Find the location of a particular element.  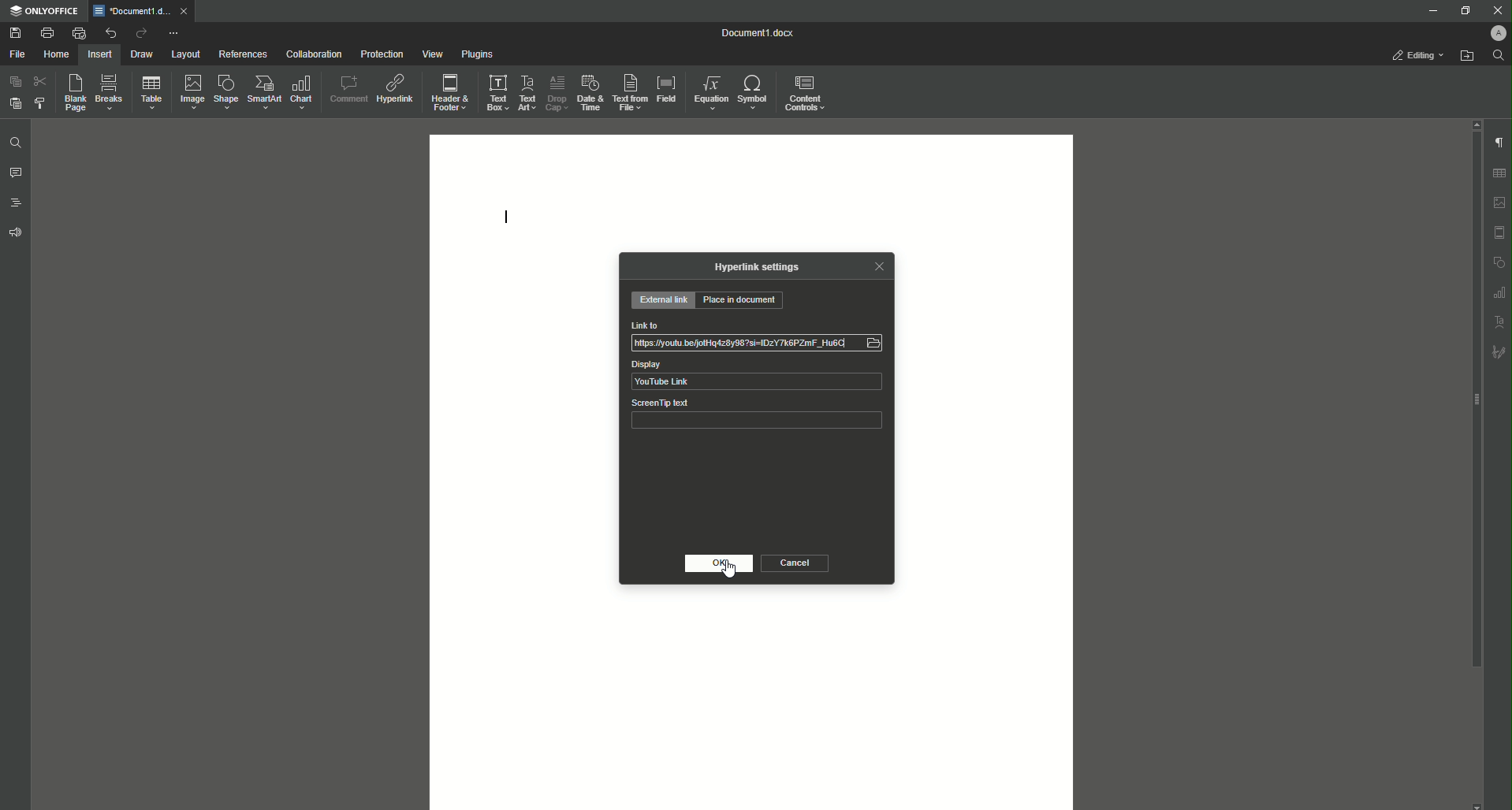

Shape is located at coordinates (225, 91).